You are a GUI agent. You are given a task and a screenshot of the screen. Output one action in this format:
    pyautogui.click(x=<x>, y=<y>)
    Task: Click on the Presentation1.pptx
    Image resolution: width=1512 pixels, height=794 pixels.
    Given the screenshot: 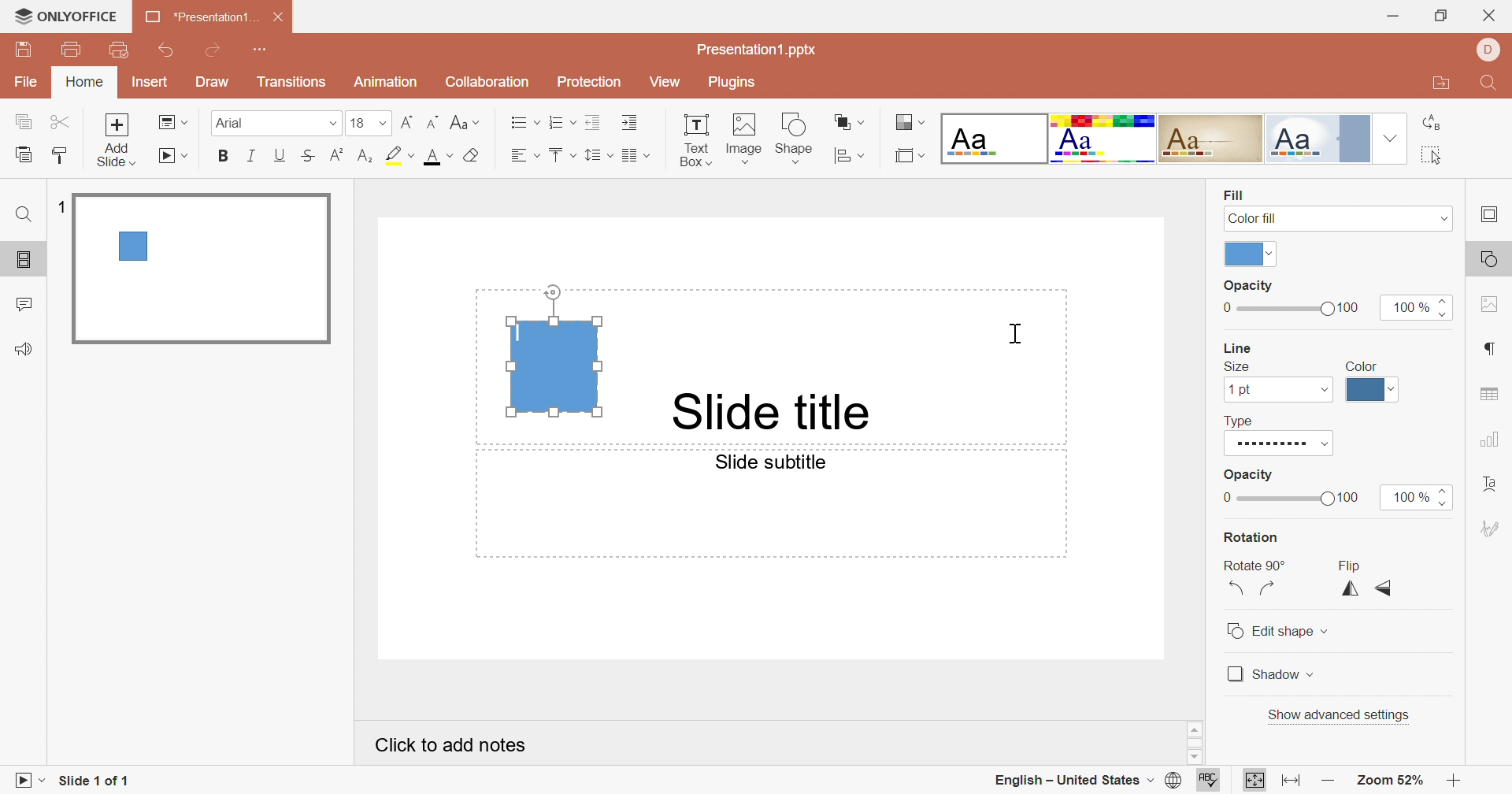 What is the action you would take?
    pyautogui.click(x=764, y=51)
    